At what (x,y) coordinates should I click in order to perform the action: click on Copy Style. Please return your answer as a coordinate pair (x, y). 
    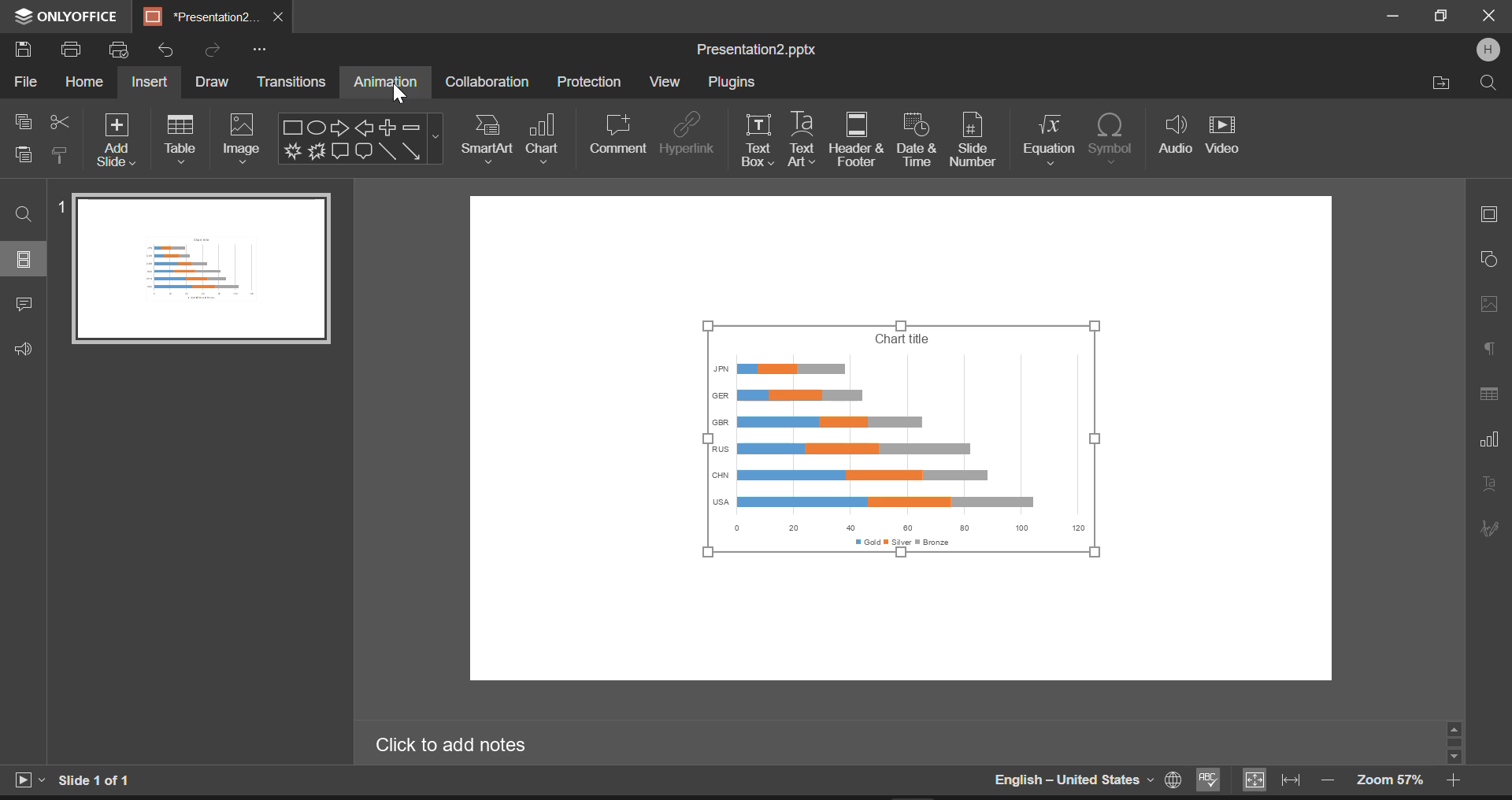
    Looking at the image, I should click on (61, 157).